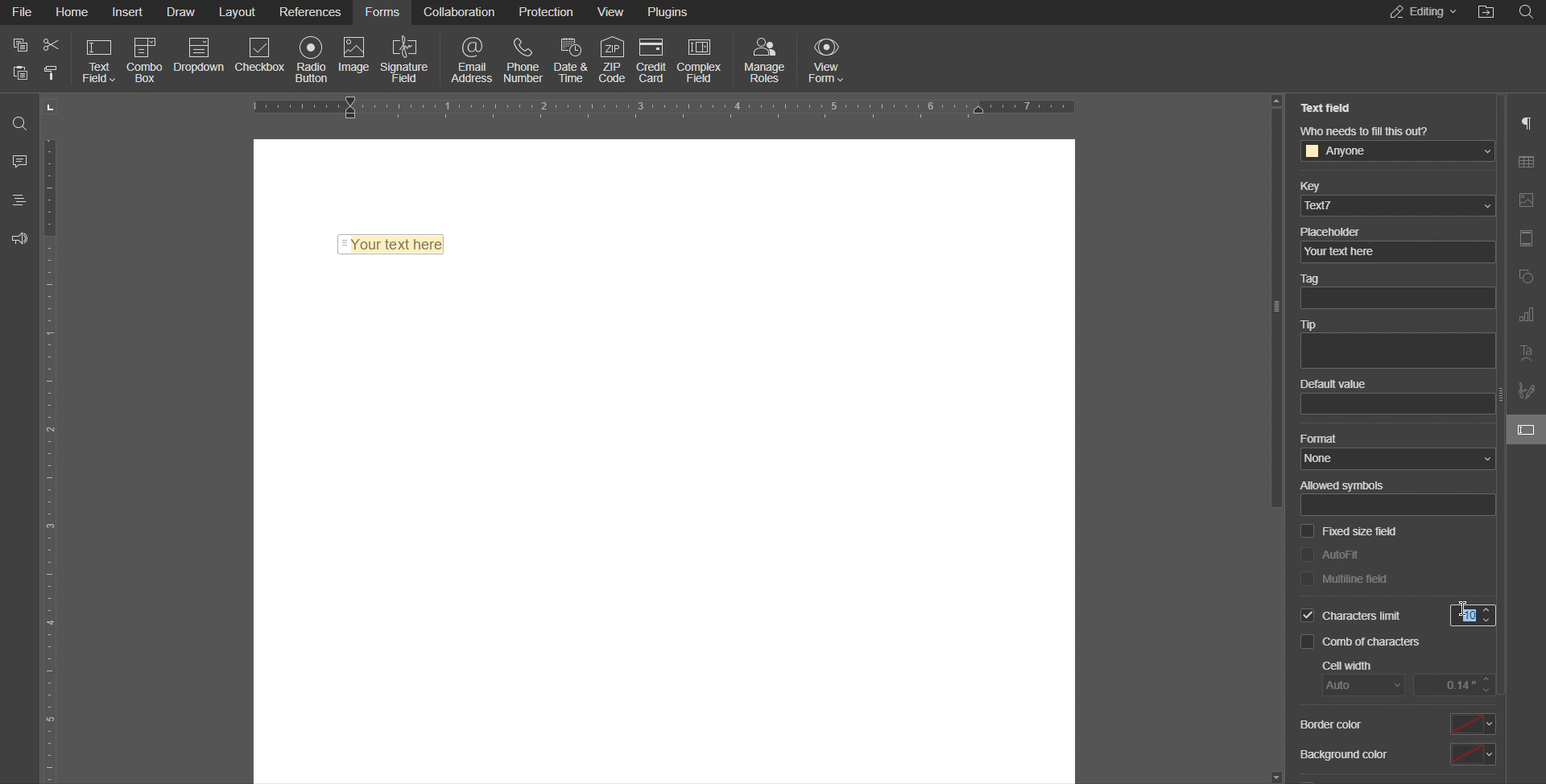 The image size is (1546, 784). What do you see at coordinates (674, 11) in the screenshot?
I see `Plugins` at bounding box center [674, 11].